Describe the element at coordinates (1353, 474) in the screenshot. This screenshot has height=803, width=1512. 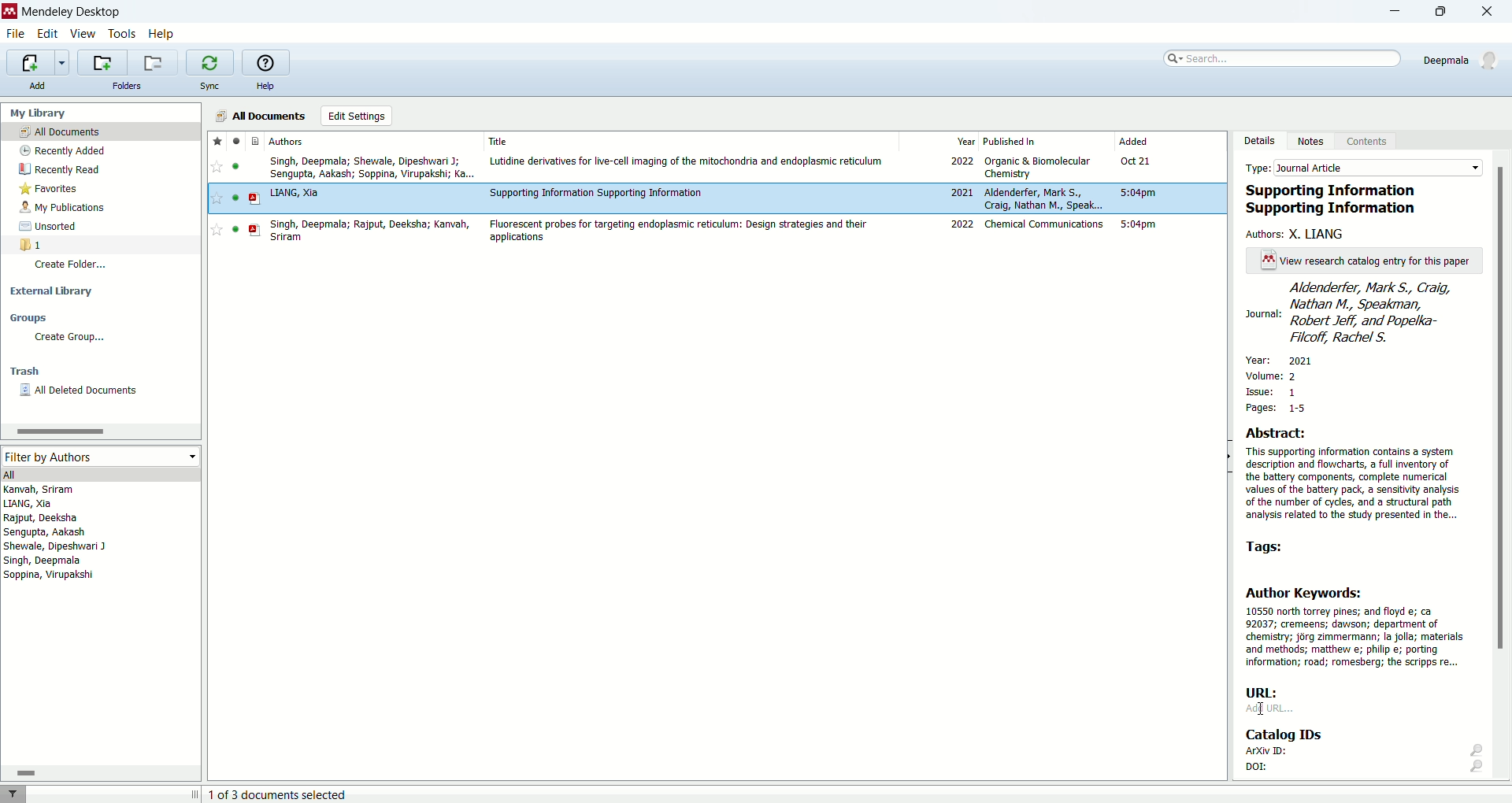
I see `Abstract:This supporting information contains a system description and flowcharts, a full inventory of the battery components, complete numerical values of the battery pack, a sensitivity analysis of the number of cycles, and a structural path analysis related to the study presented in the...` at that location.